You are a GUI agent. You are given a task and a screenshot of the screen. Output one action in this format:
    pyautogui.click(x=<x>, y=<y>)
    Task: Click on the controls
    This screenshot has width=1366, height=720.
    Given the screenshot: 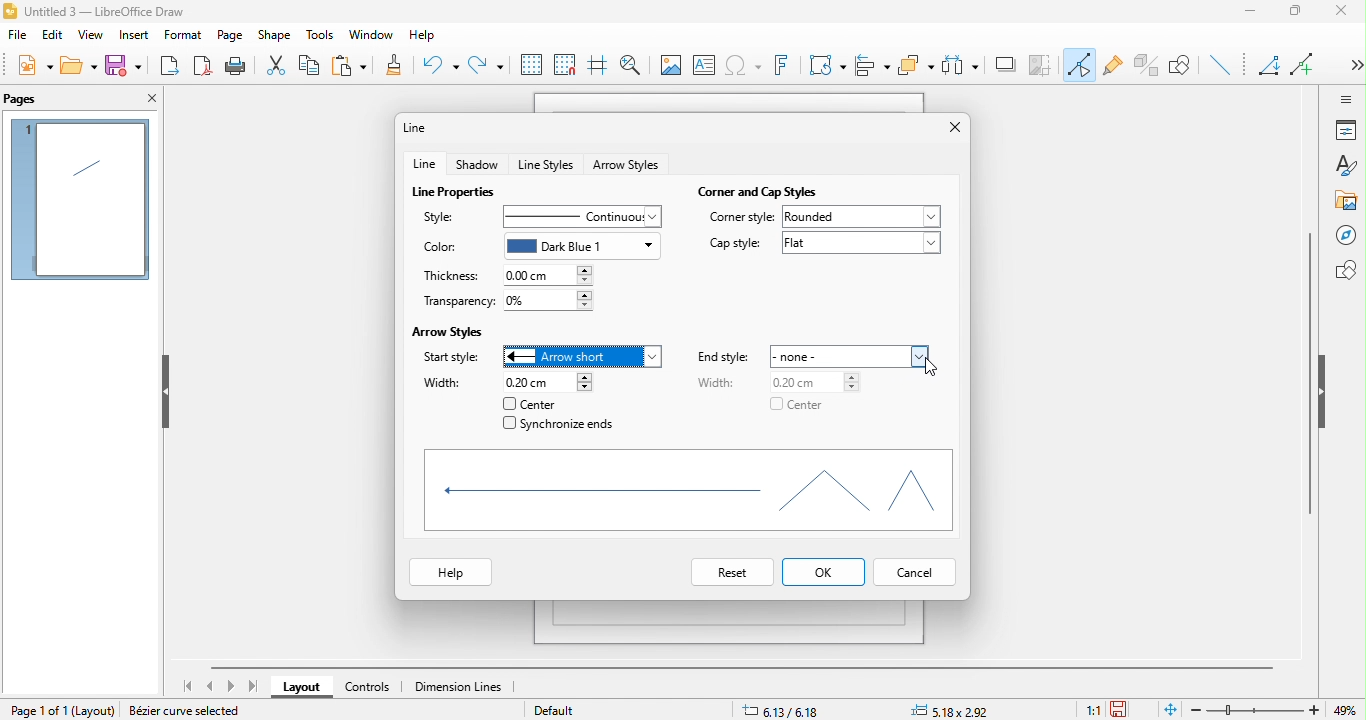 What is the action you would take?
    pyautogui.click(x=368, y=689)
    